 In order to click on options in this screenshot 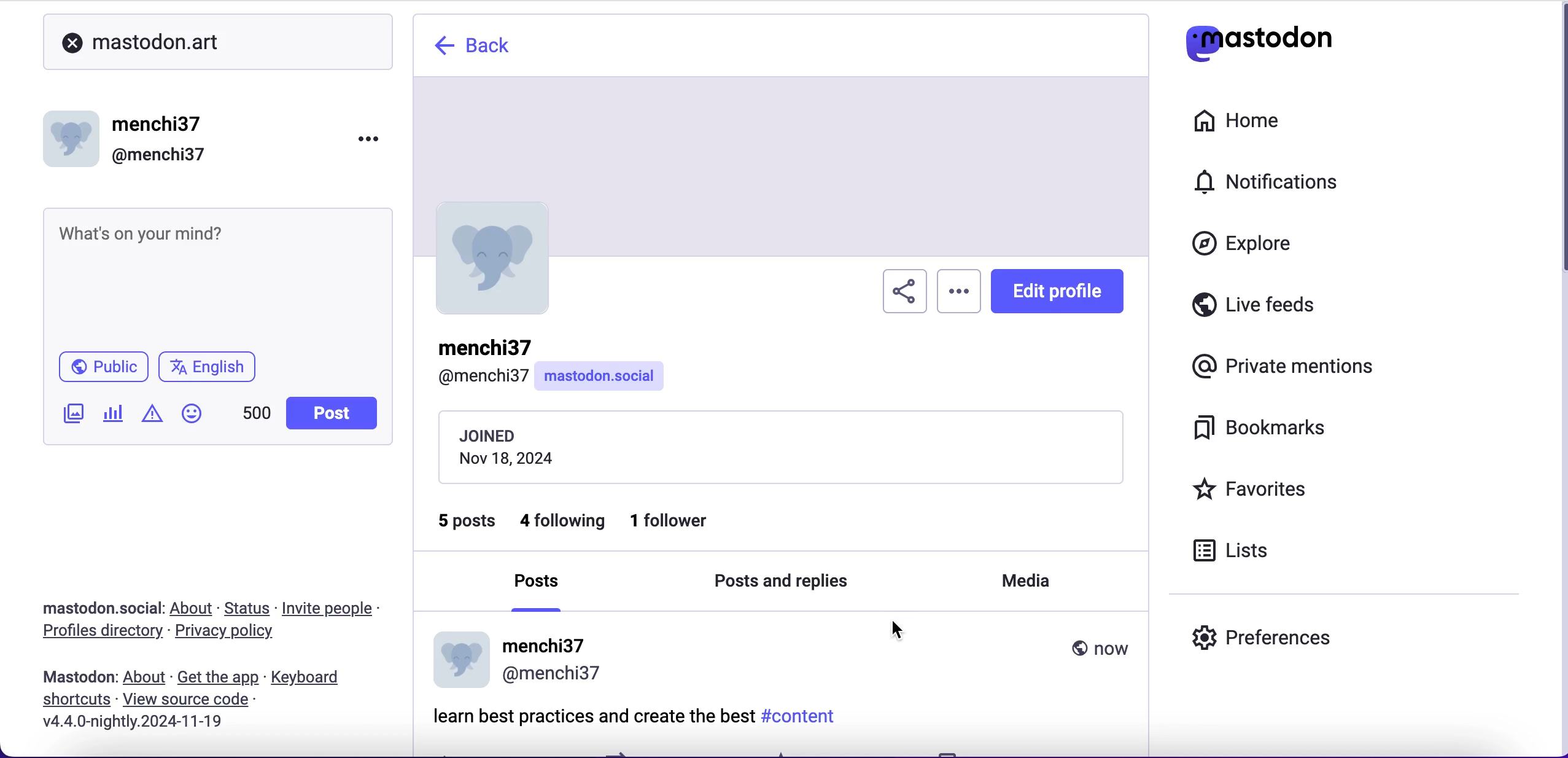, I will do `click(359, 144)`.